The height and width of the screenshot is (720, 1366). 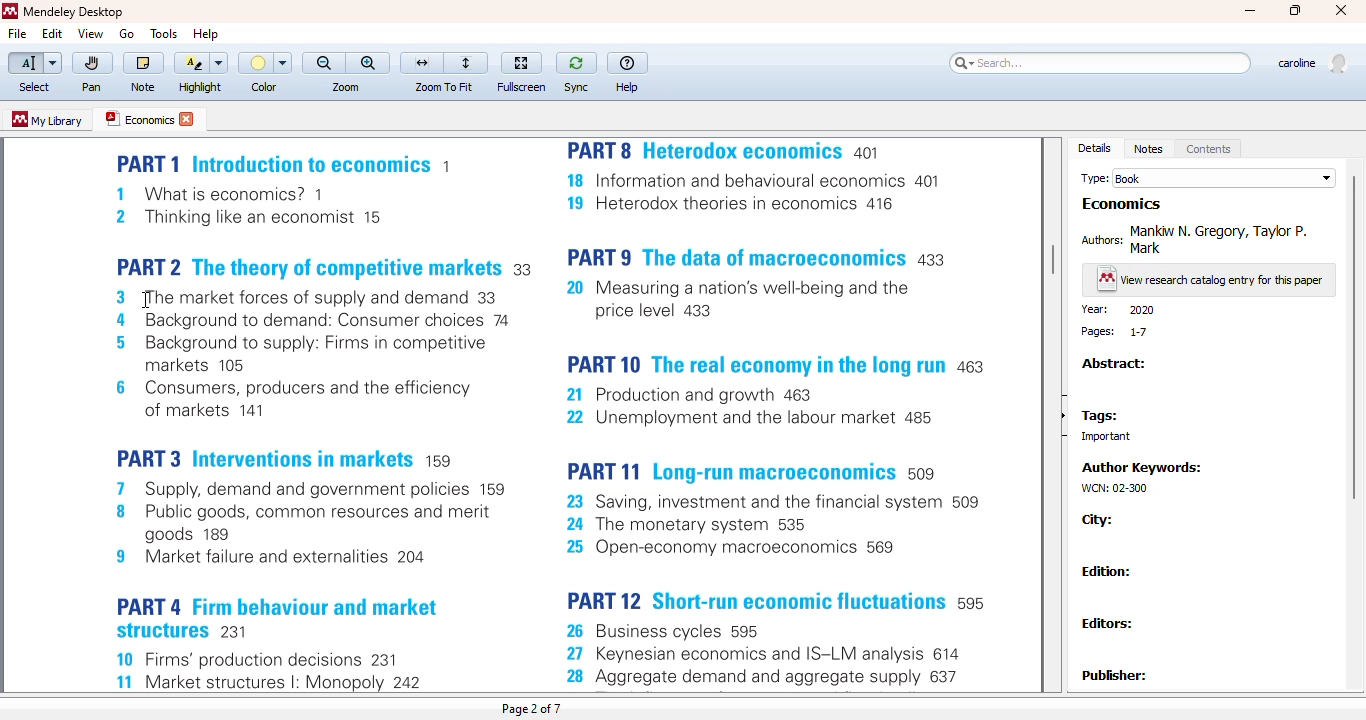 What do you see at coordinates (1099, 239) in the screenshot?
I see `Authors:` at bounding box center [1099, 239].